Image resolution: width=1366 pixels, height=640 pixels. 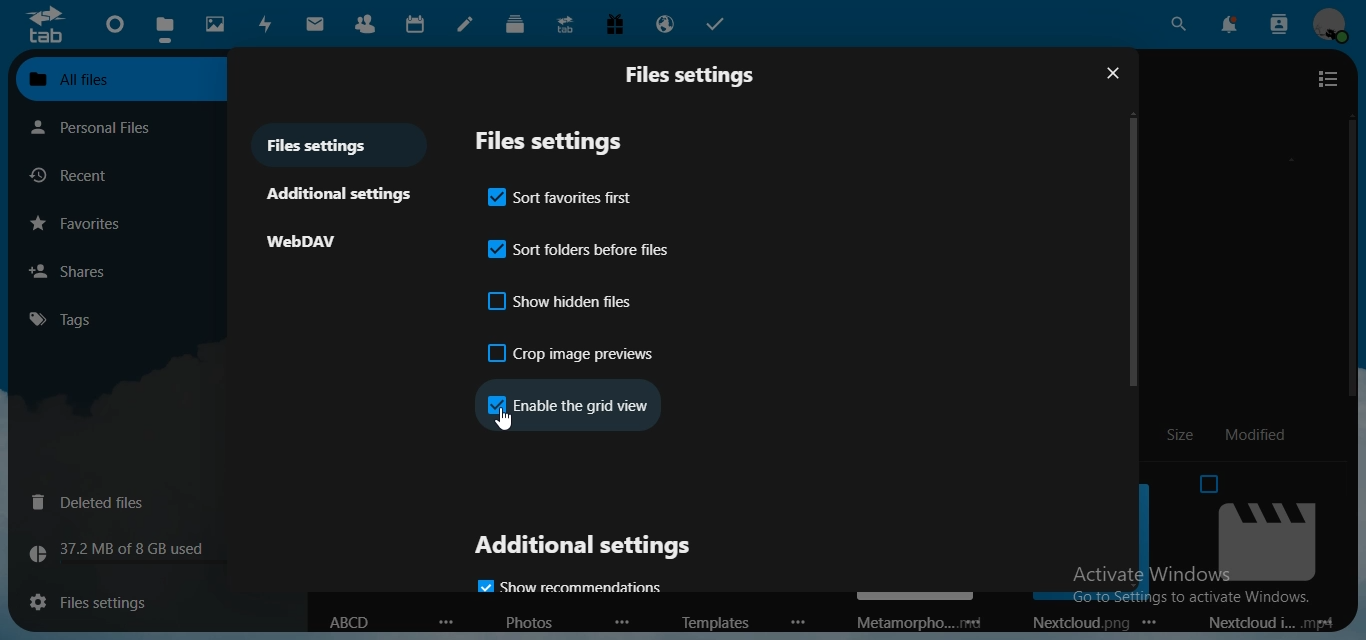 What do you see at coordinates (103, 128) in the screenshot?
I see `personal files` at bounding box center [103, 128].